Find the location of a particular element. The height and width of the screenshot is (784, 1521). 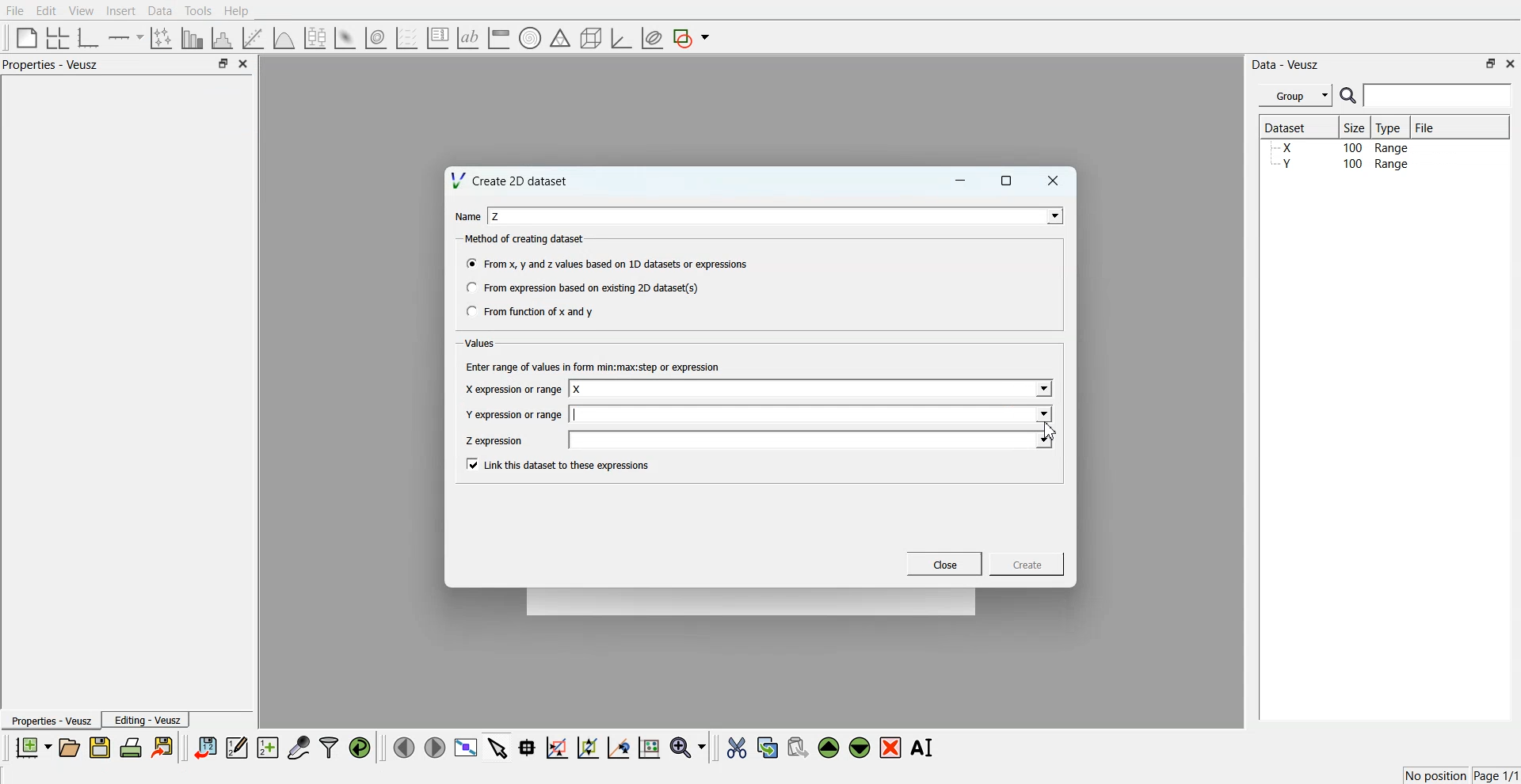

Arrange graph in grid is located at coordinates (58, 39).